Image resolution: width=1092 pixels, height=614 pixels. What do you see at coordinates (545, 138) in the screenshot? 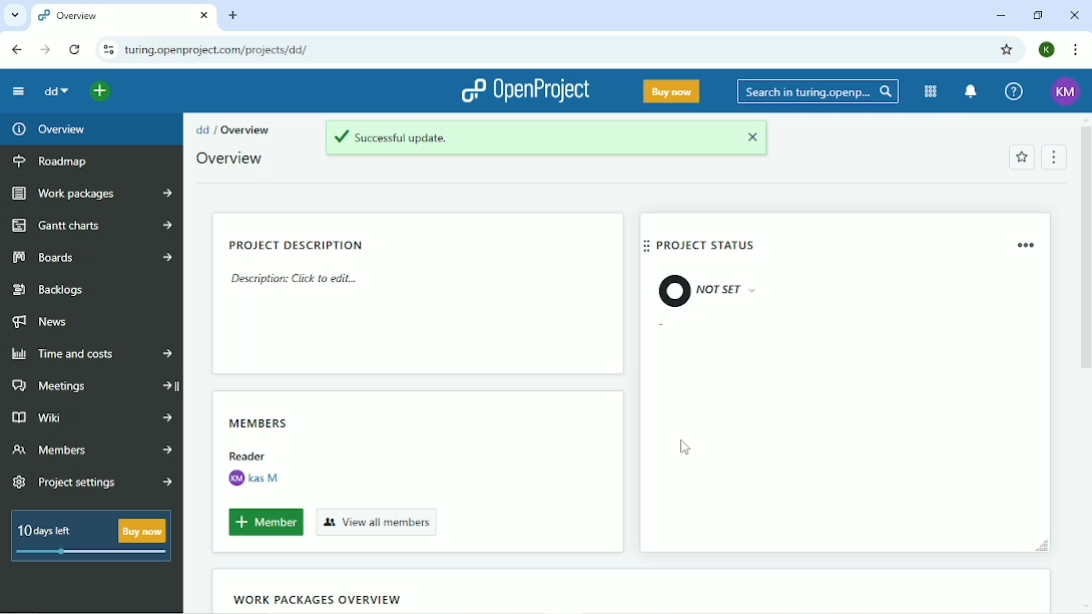
I see `Successful update.` at bounding box center [545, 138].